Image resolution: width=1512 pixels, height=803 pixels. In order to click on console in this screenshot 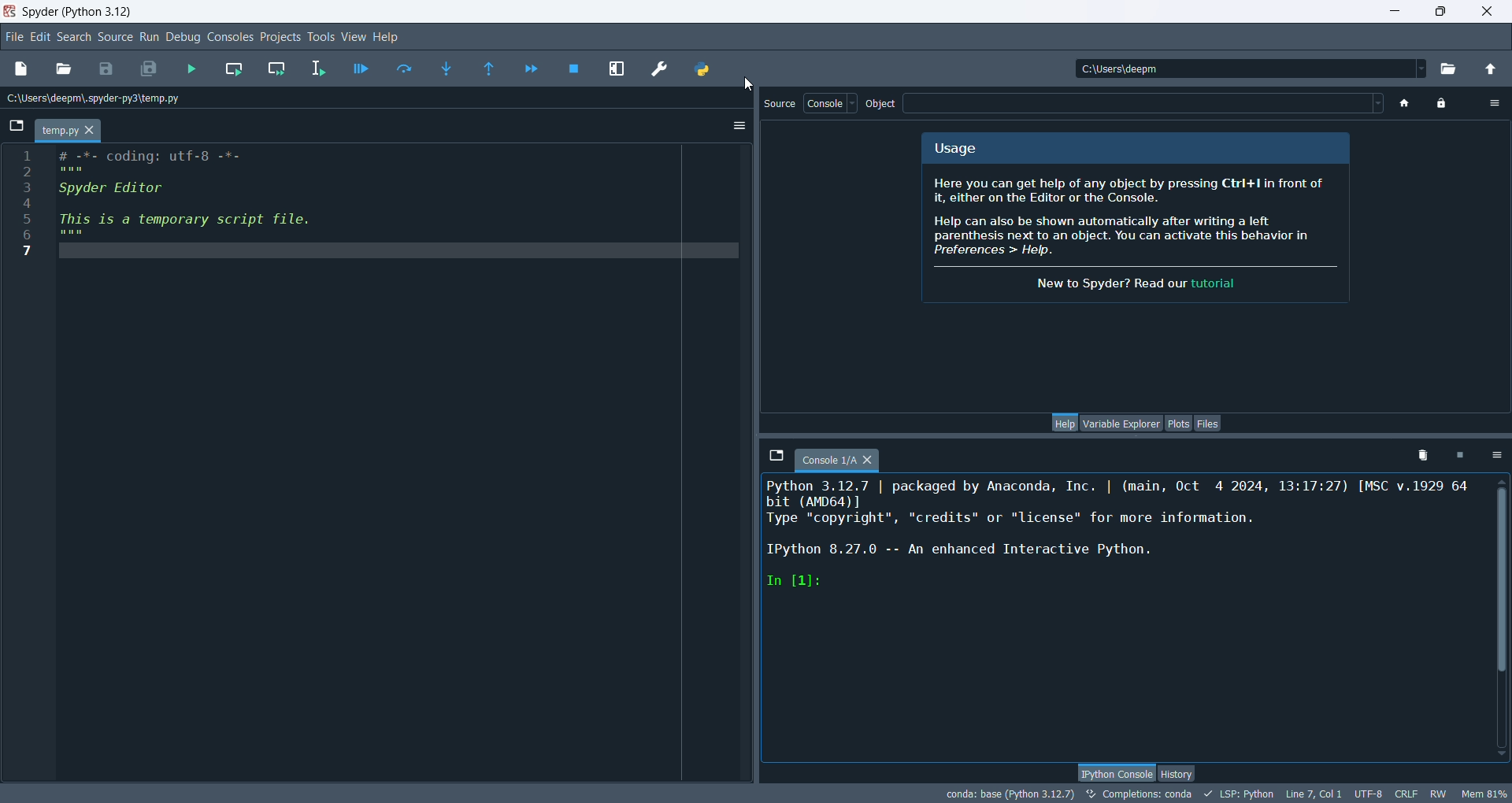, I will do `click(828, 102)`.